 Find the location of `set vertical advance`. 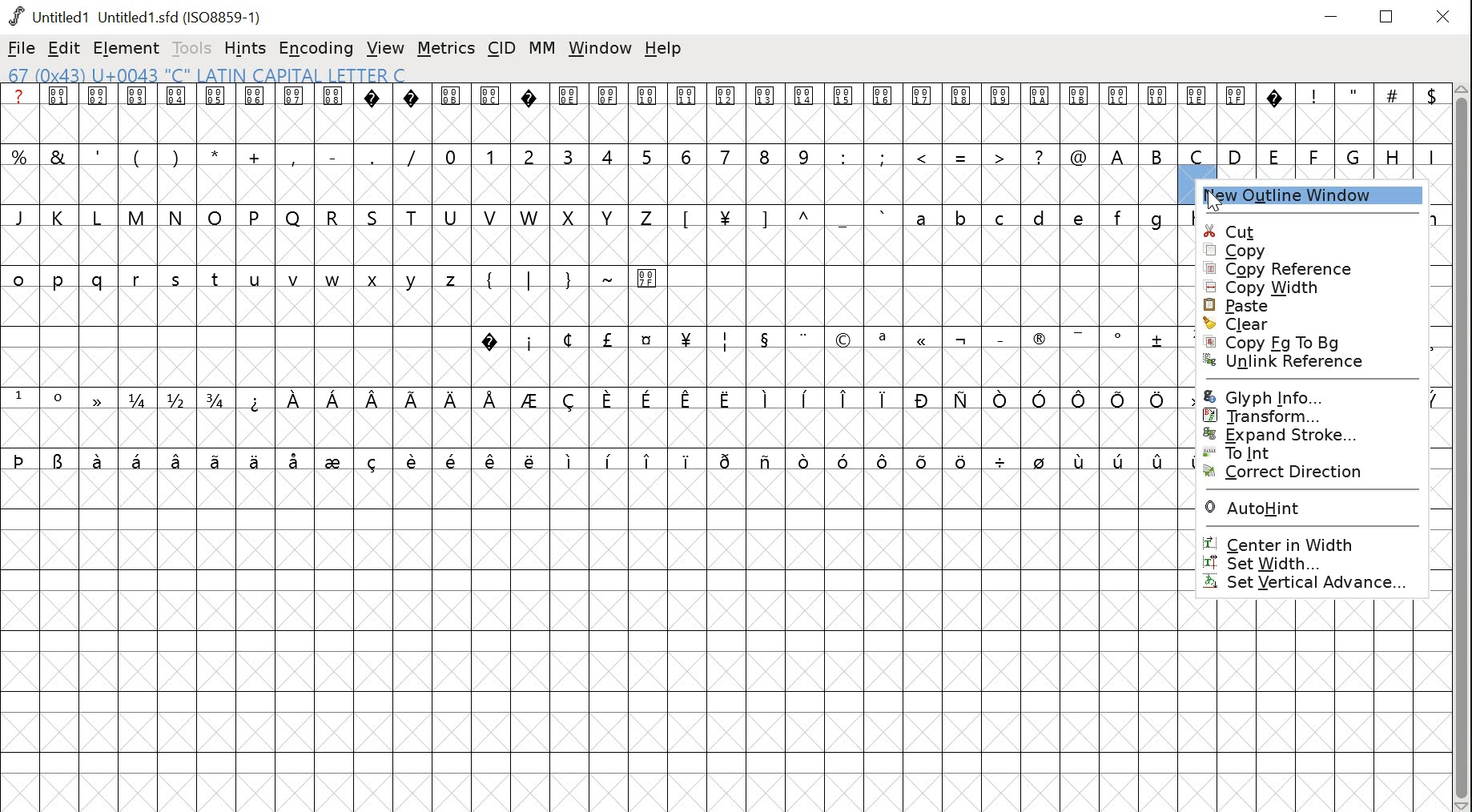

set vertical advance is located at coordinates (1317, 584).